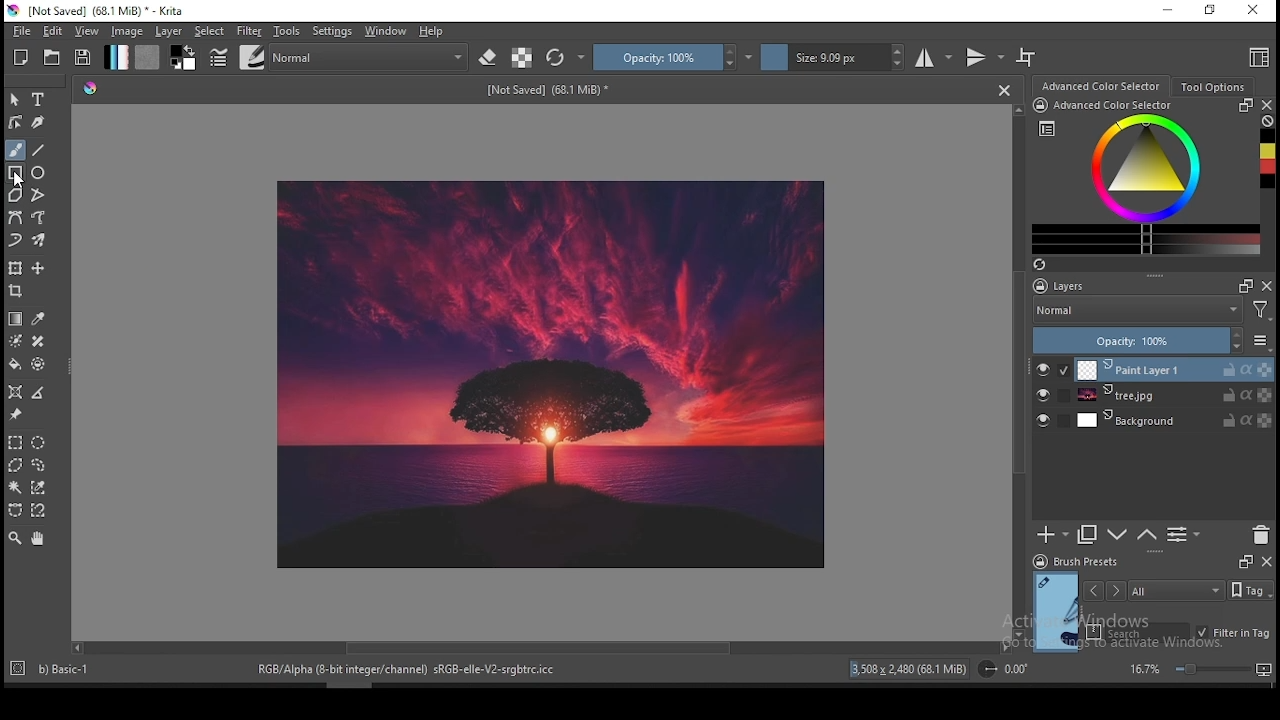  What do you see at coordinates (54, 57) in the screenshot?
I see `open` at bounding box center [54, 57].